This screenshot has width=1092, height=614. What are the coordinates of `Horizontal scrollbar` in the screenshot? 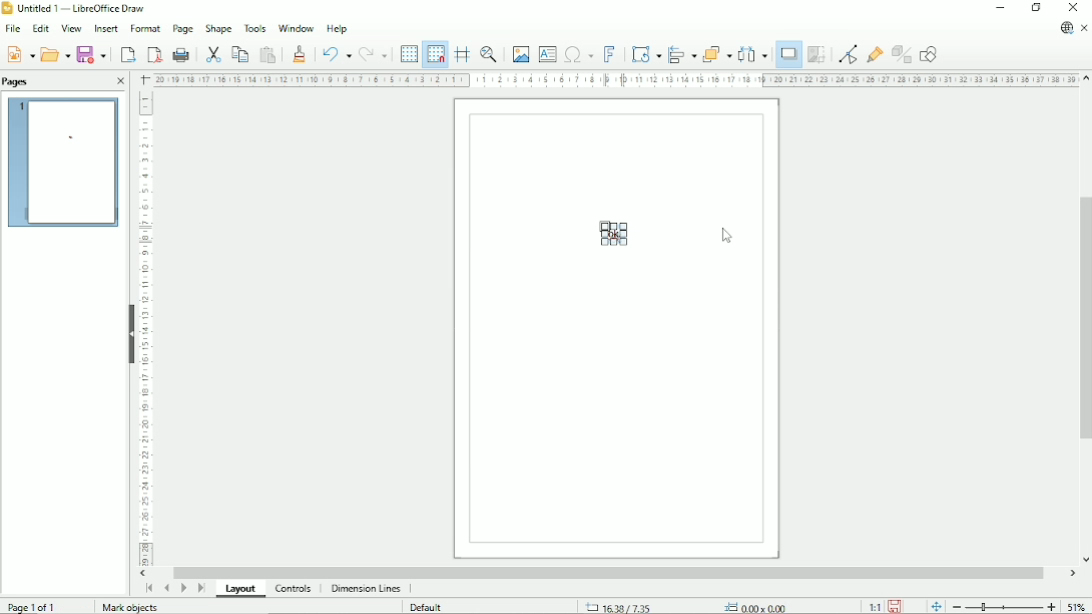 It's located at (613, 571).